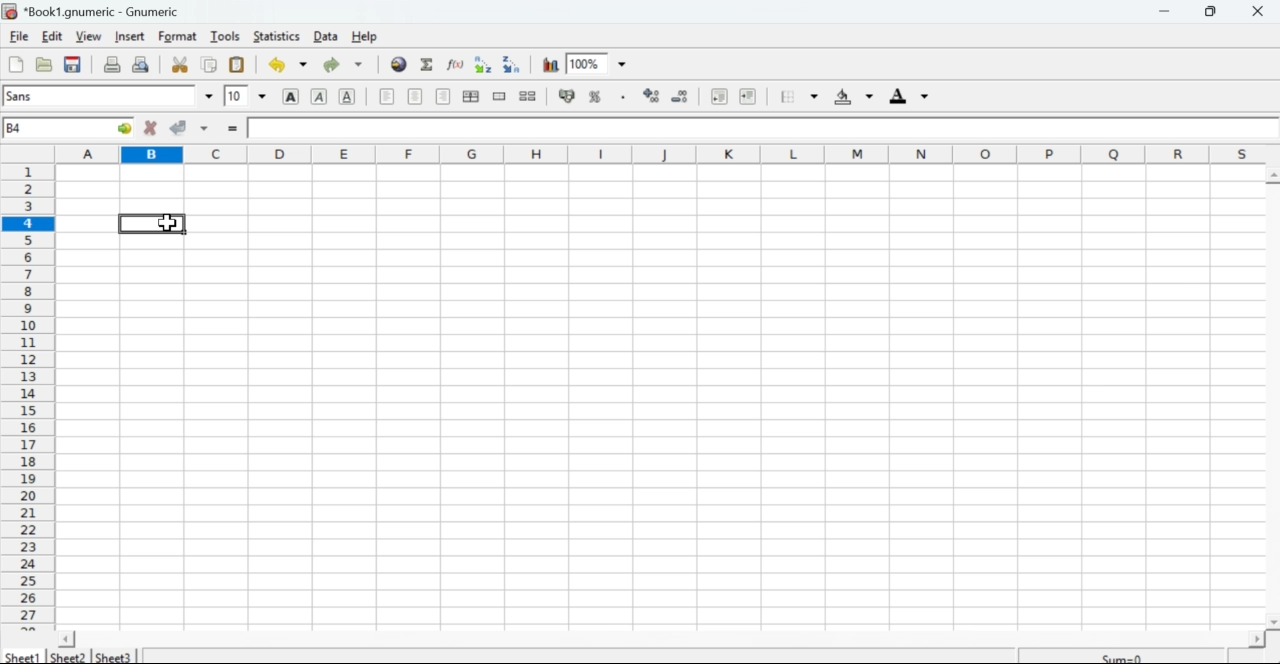  Describe the element at coordinates (90, 35) in the screenshot. I see `View` at that location.